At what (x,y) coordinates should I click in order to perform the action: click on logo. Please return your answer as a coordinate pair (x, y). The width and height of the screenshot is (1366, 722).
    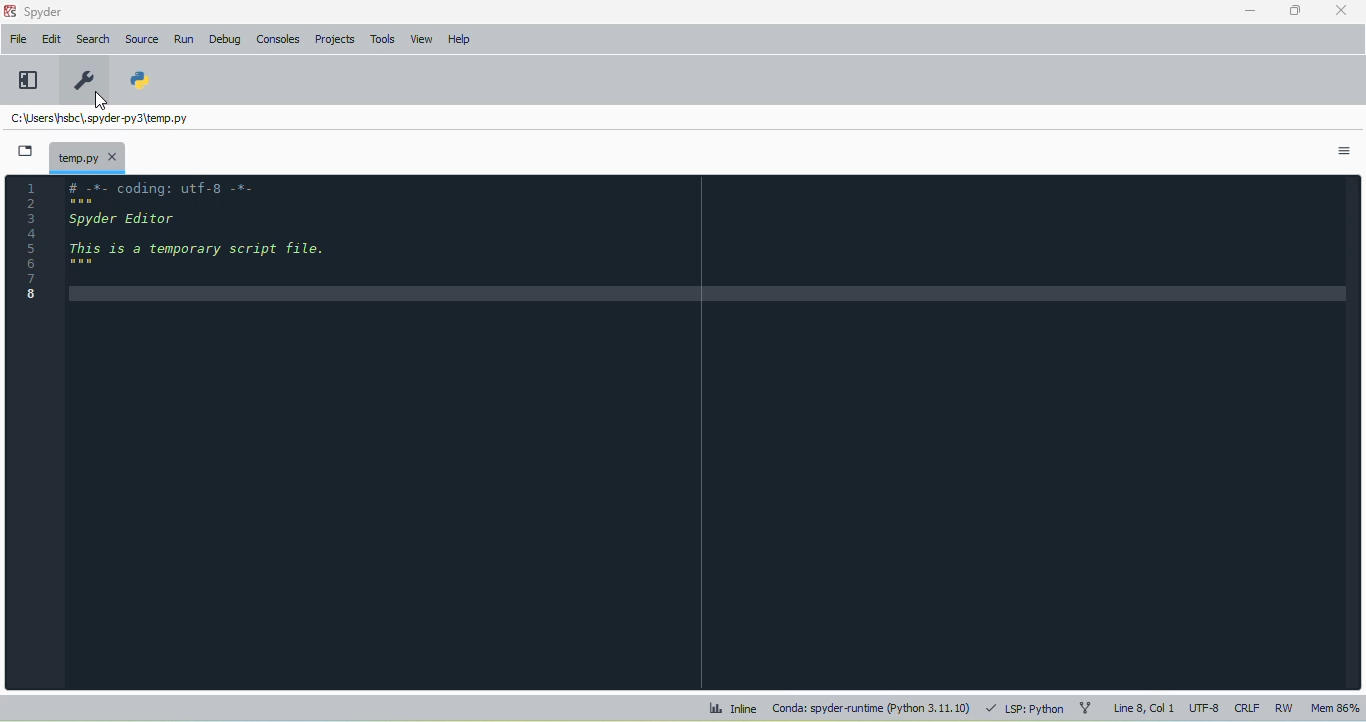
    Looking at the image, I should click on (9, 11).